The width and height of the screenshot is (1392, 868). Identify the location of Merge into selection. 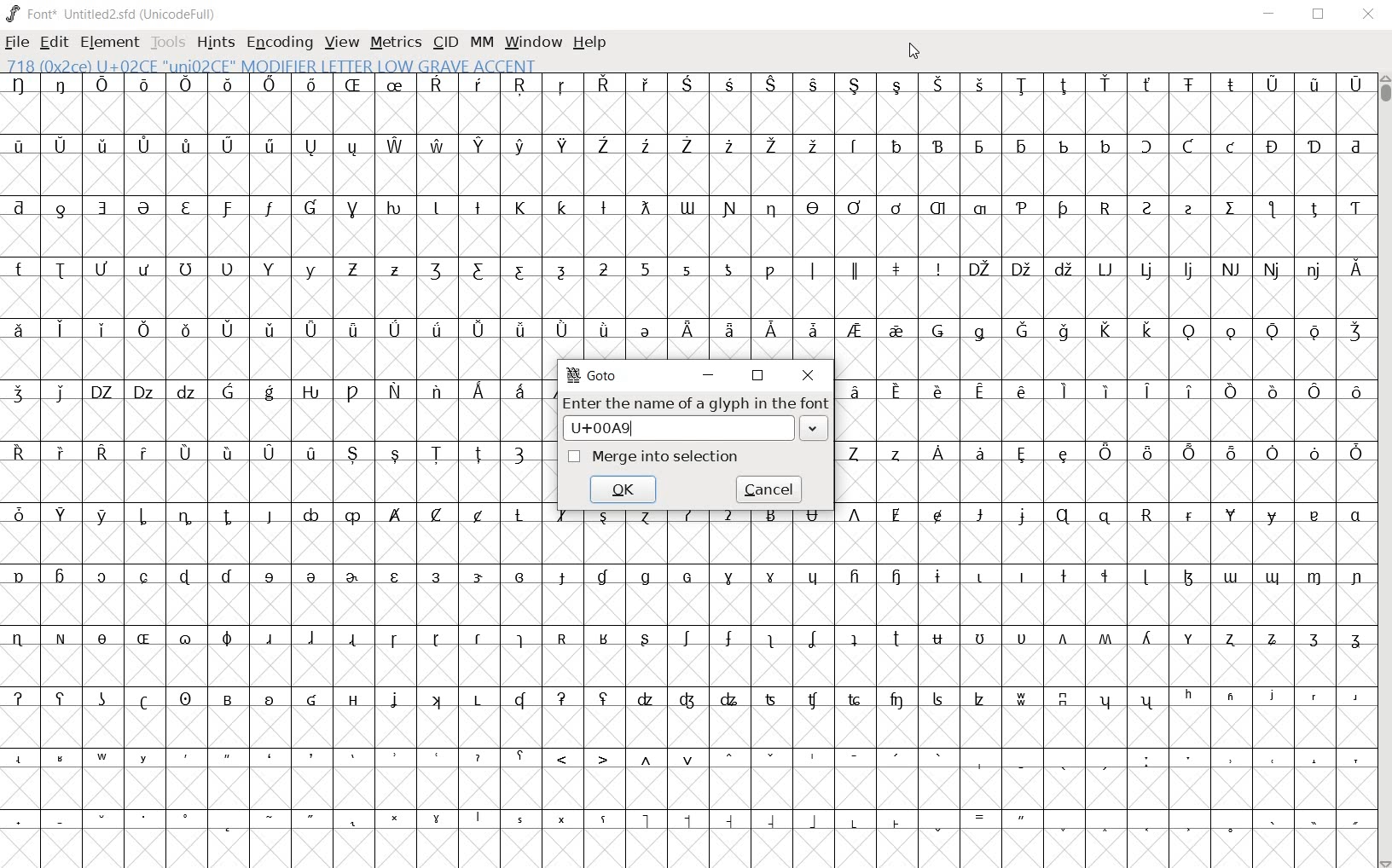
(656, 455).